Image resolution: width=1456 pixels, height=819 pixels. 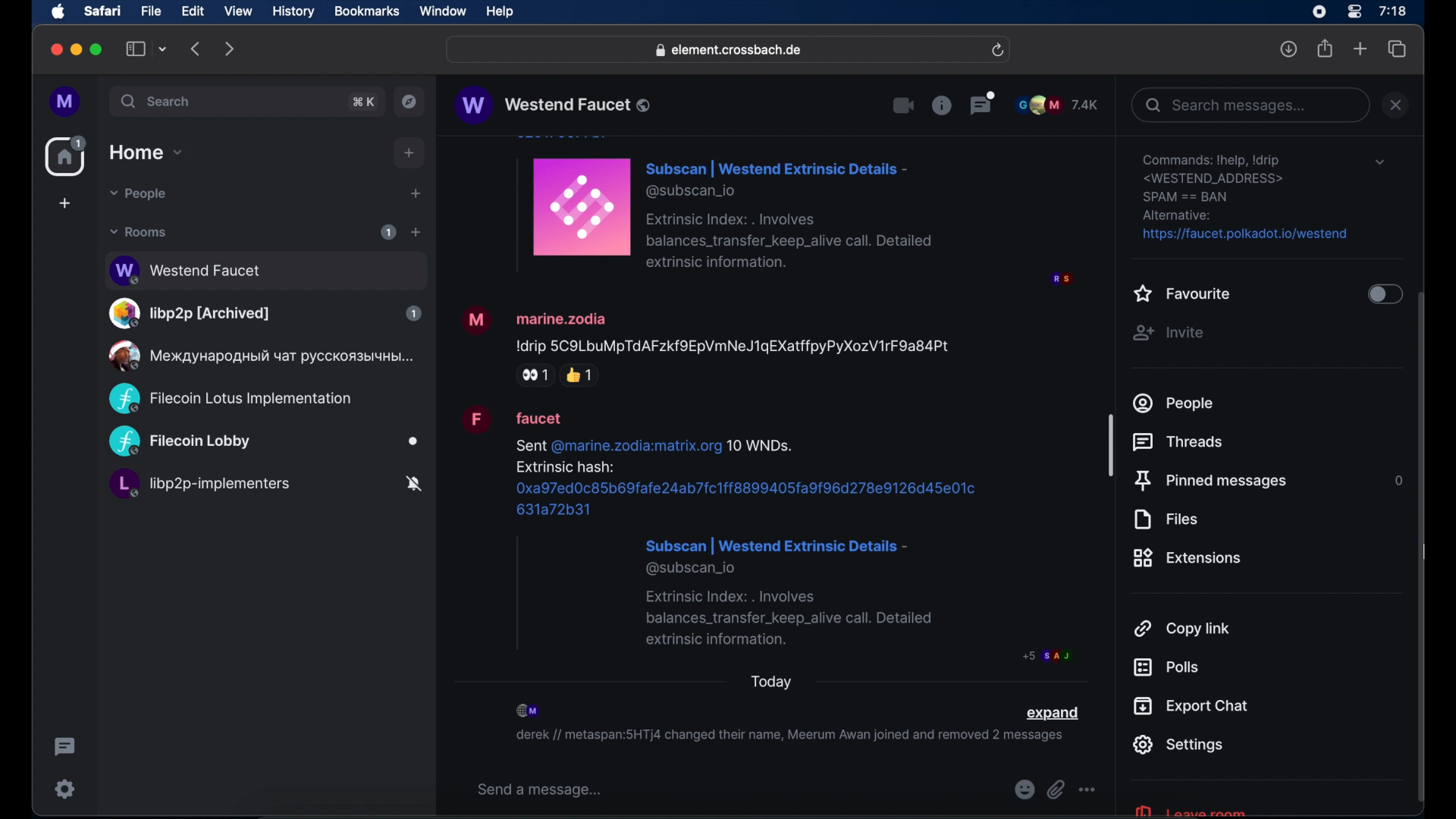 I want to click on extensions, so click(x=1188, y=558).